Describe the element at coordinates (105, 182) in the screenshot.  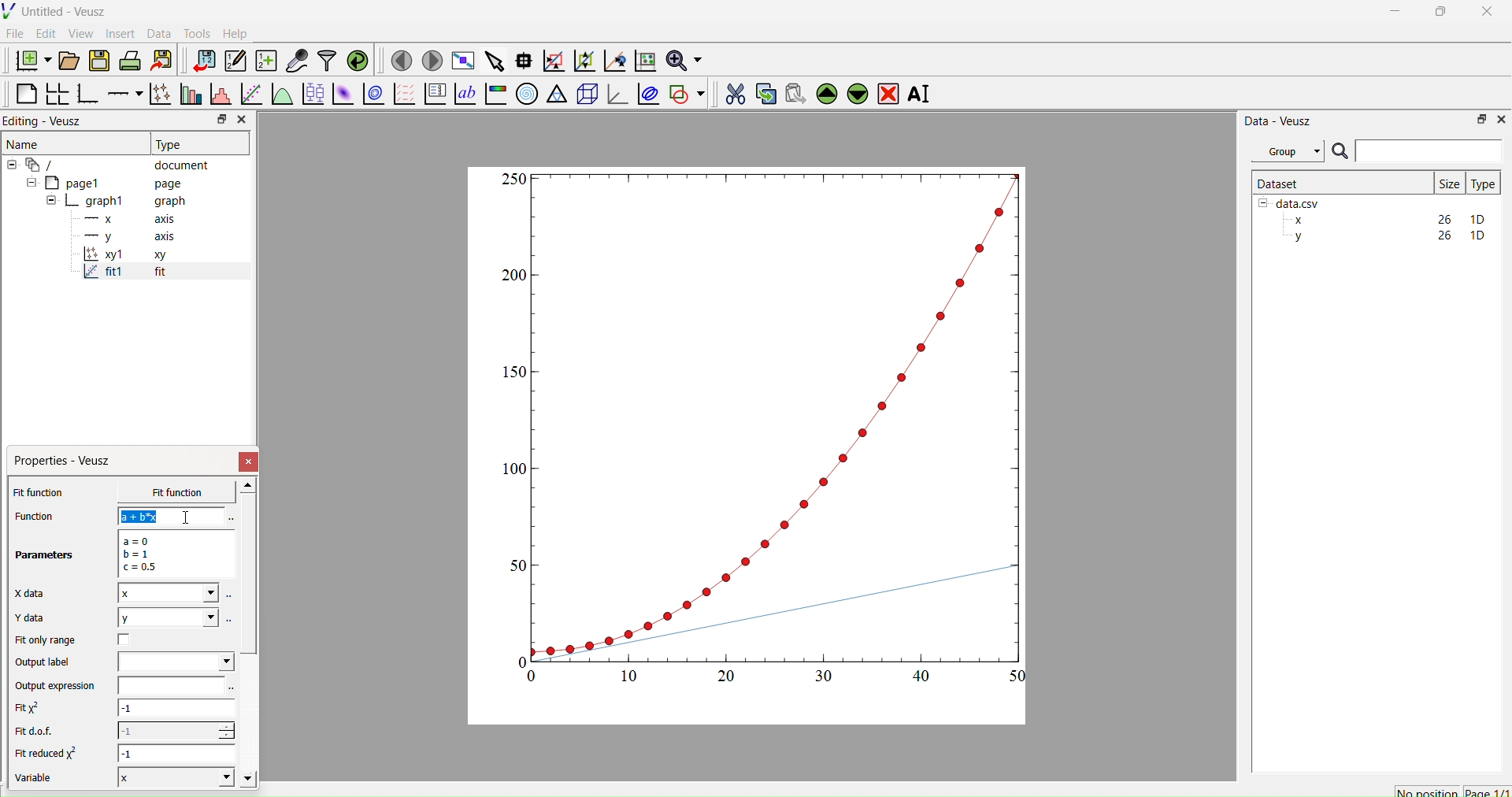
I see `page1 page` at that location.